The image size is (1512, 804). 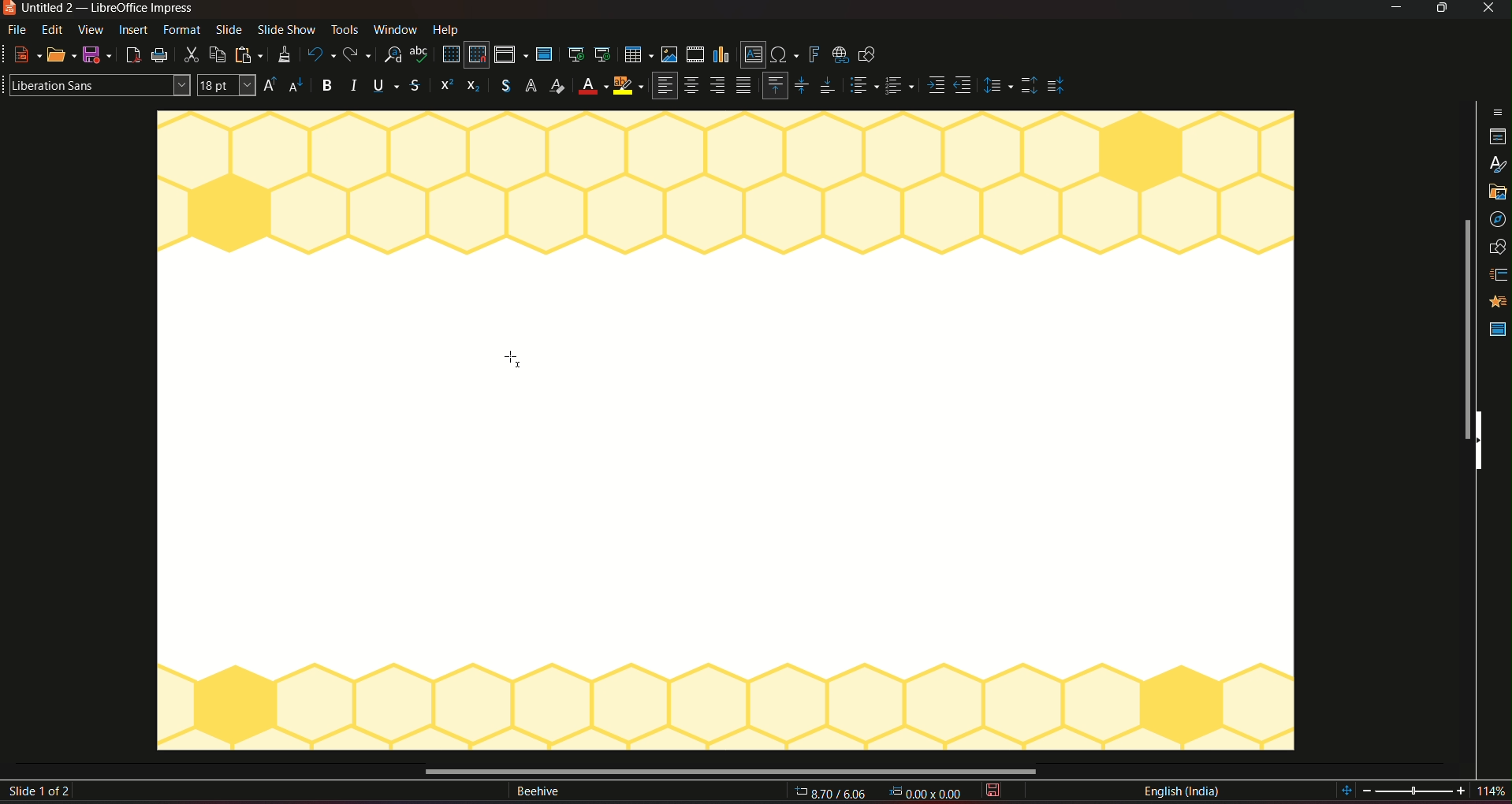 What do you see at coordinates (192, 56) in the screenshot?
I see `cut` at bounding box center [192, 56].